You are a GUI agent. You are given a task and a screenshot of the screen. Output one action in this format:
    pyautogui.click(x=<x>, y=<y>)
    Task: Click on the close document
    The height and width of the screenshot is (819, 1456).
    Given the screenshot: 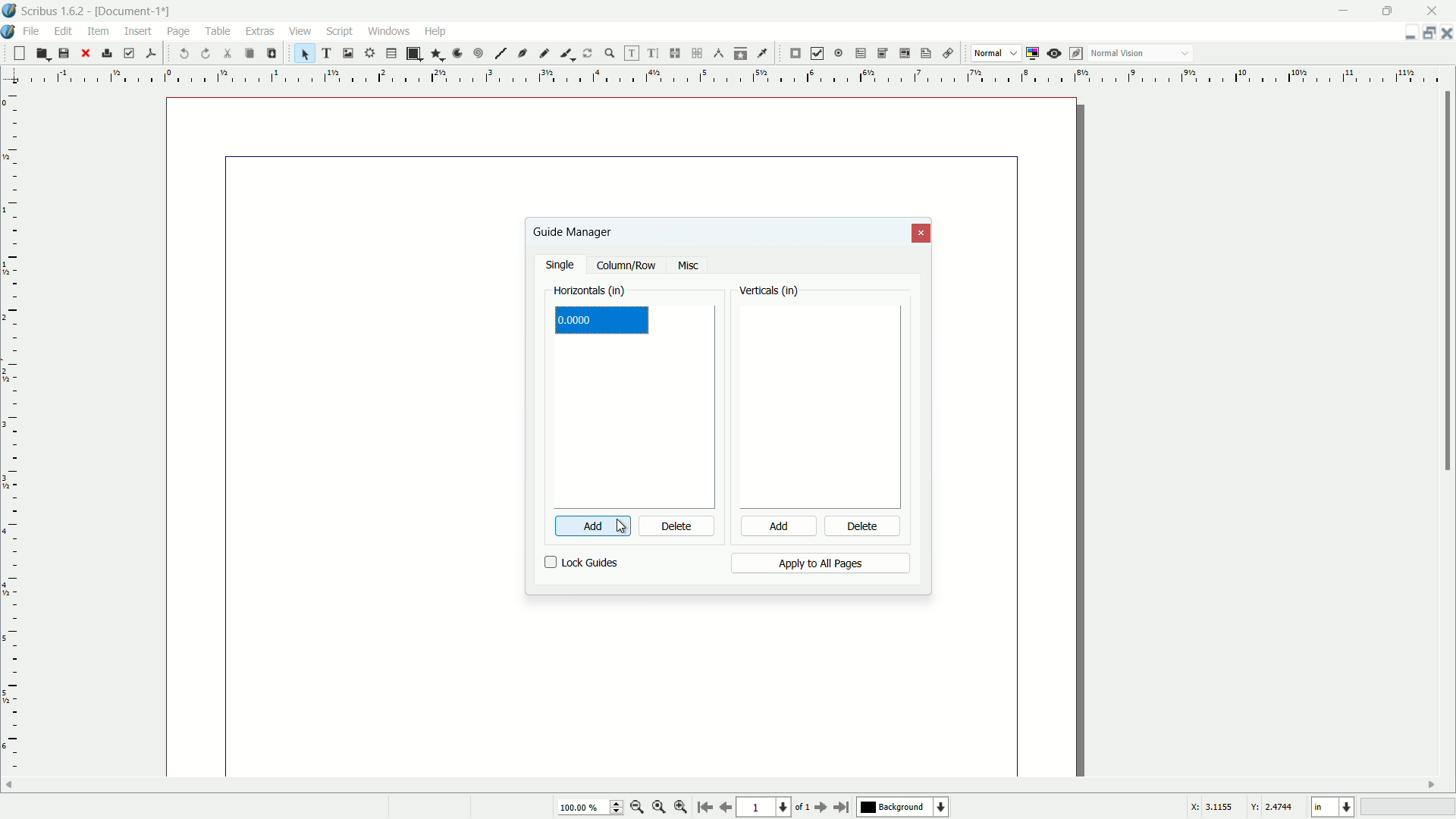 What is the action you would take?
    pyautogui.click(x=1447, y=33)
    